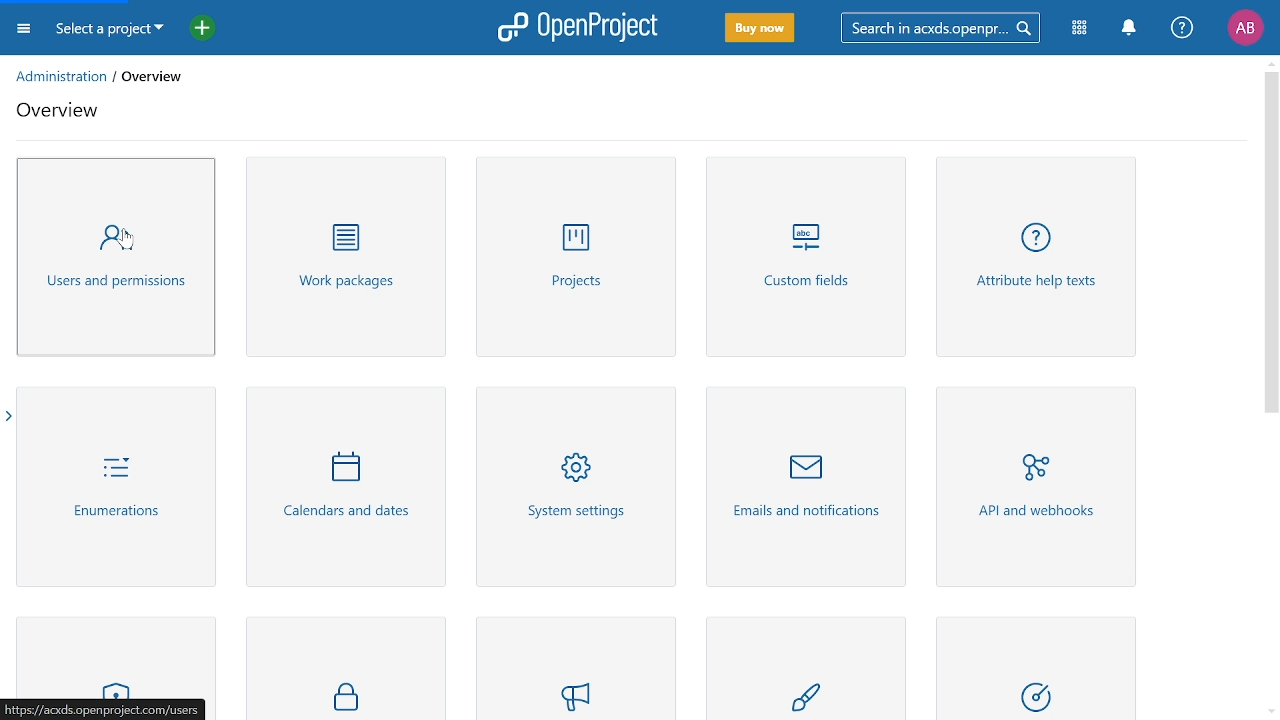  What do you see at coordinates (27, 32) in the screenshot?
I see `Open Menu` at bounding box center [27, 32].